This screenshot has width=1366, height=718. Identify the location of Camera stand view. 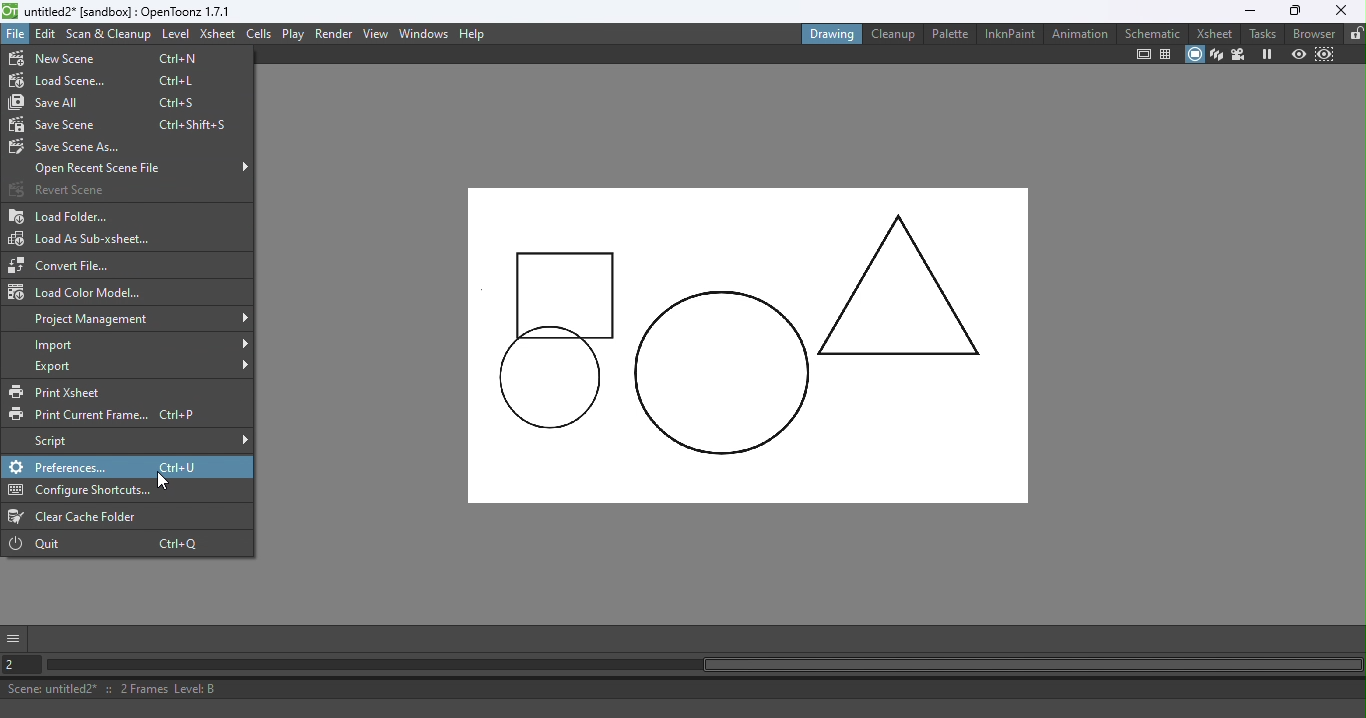
(1193, 56).